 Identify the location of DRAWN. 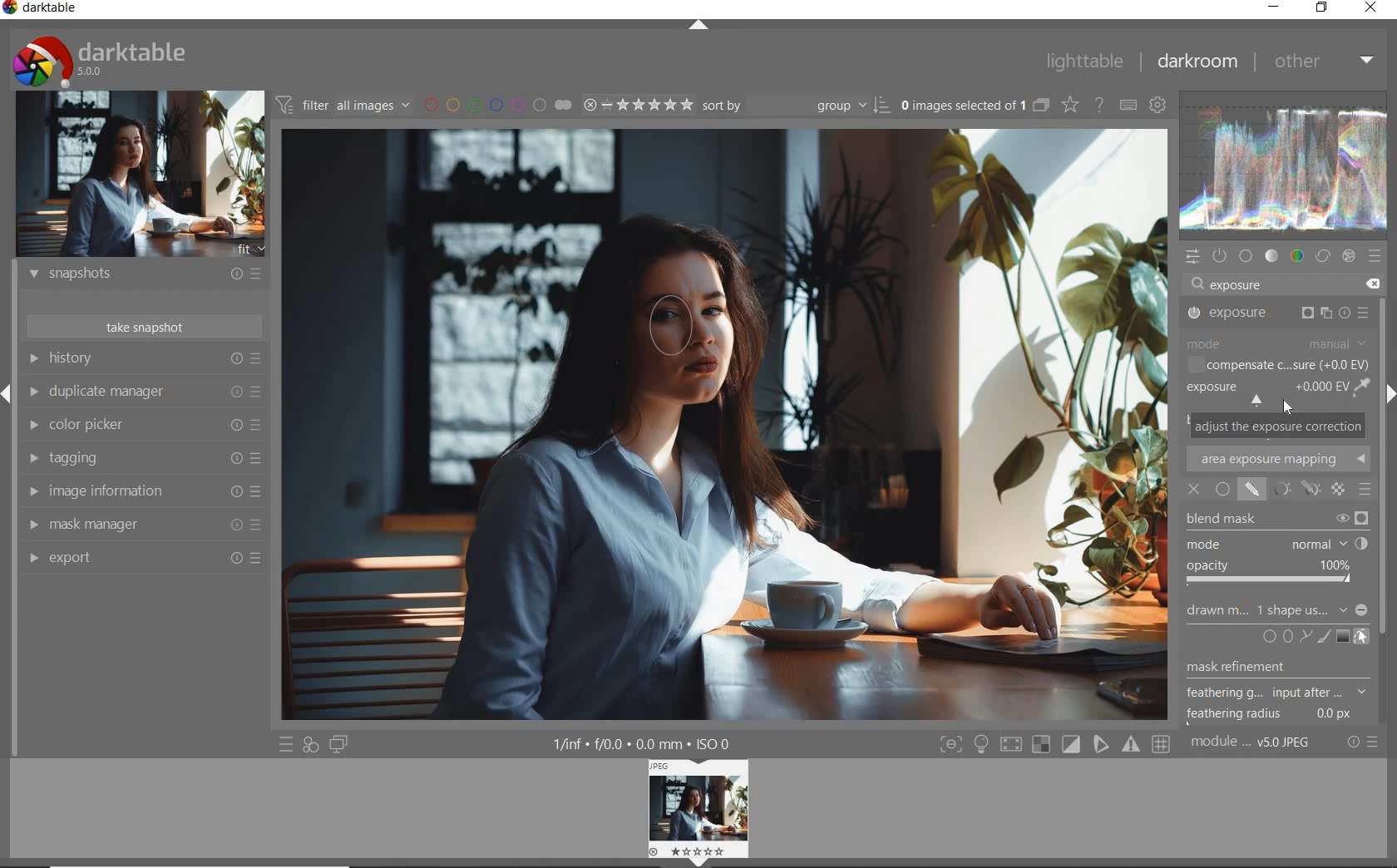
(1277, 612).